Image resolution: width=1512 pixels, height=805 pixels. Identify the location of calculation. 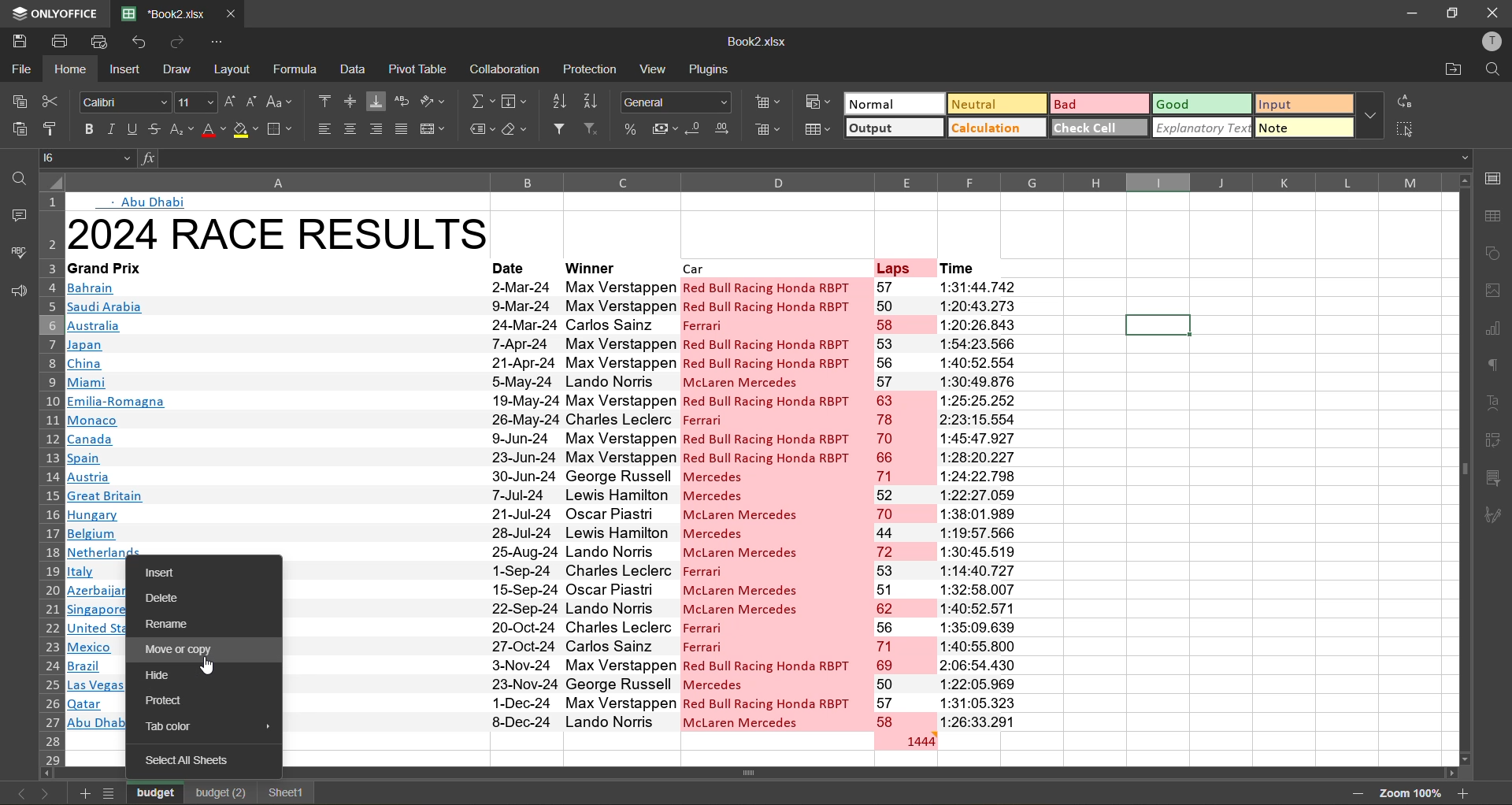
(998, 128).